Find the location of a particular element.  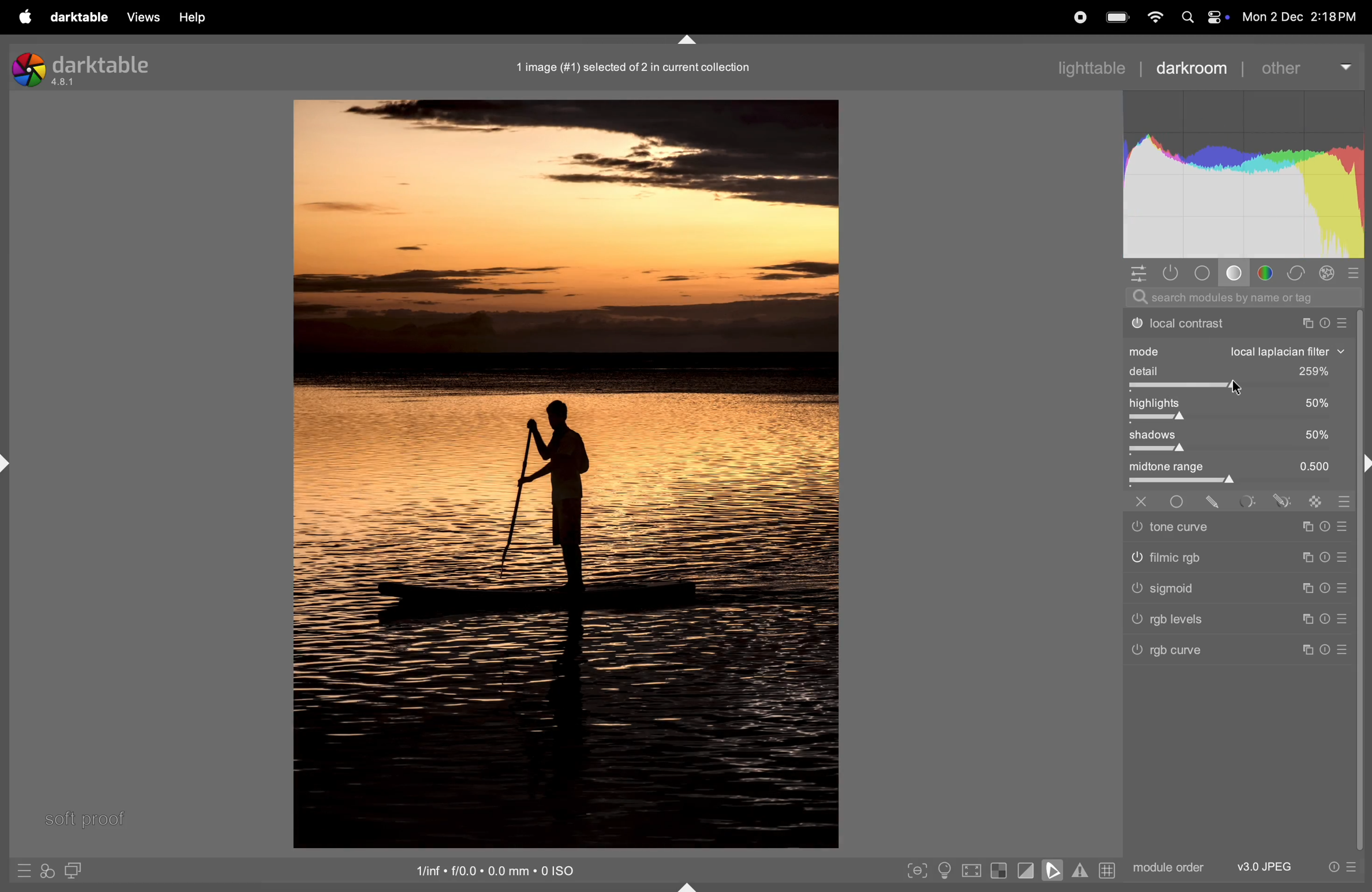

 is located at coordinates (1184, 526).